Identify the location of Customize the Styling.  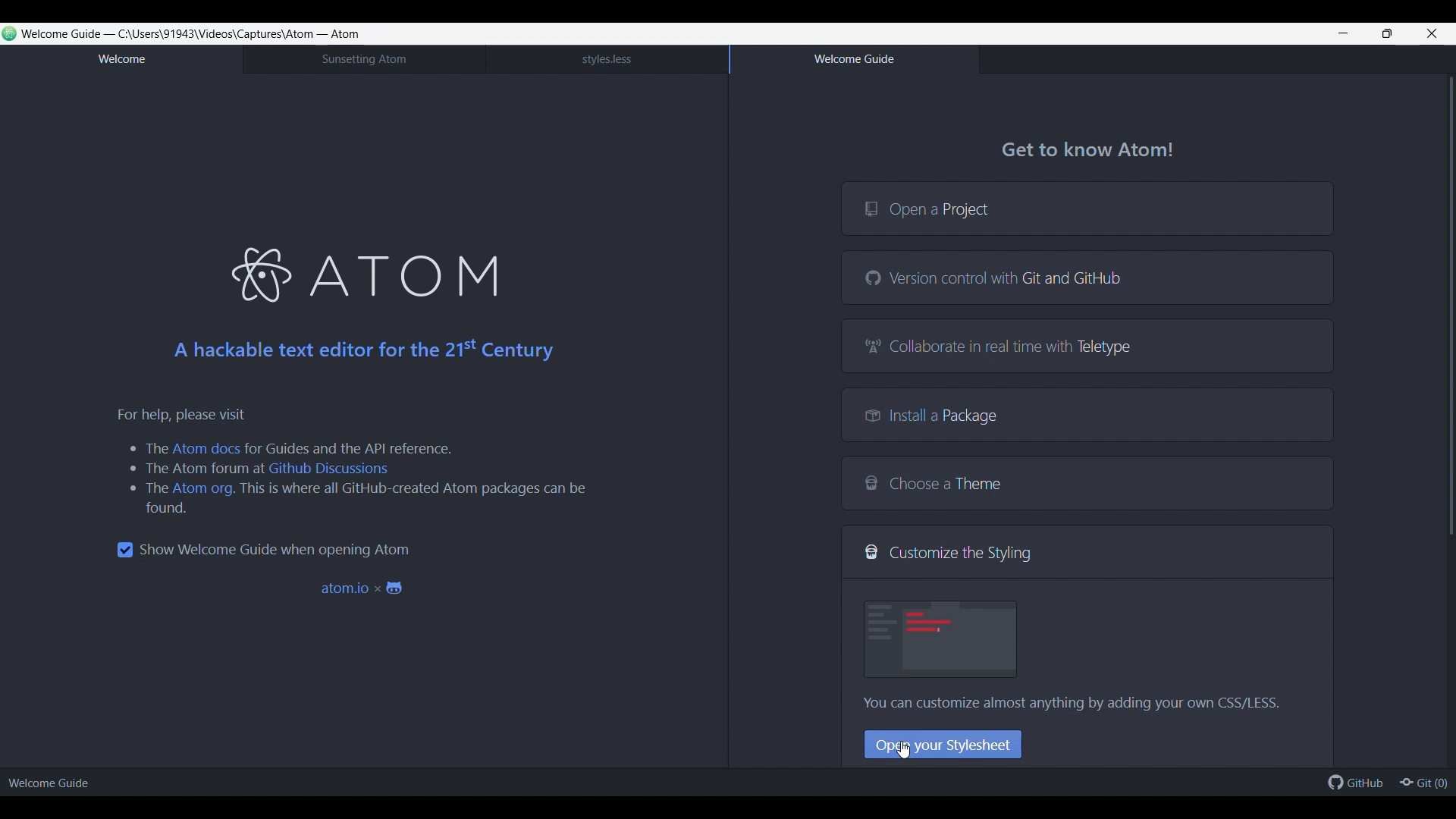
(1087, 552).